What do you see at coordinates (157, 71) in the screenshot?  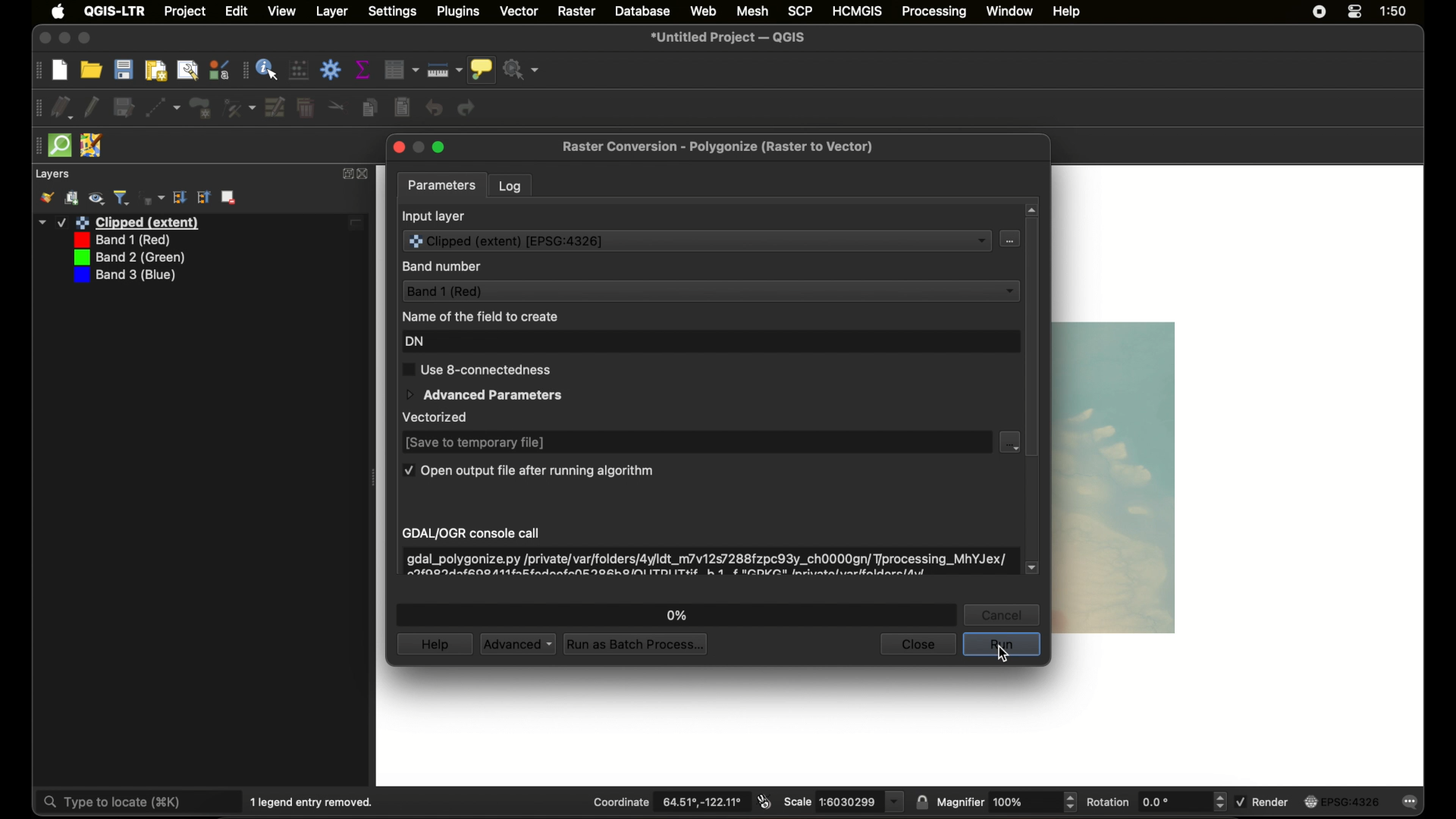 I see `new print layout` at bounding box center [157, 71].